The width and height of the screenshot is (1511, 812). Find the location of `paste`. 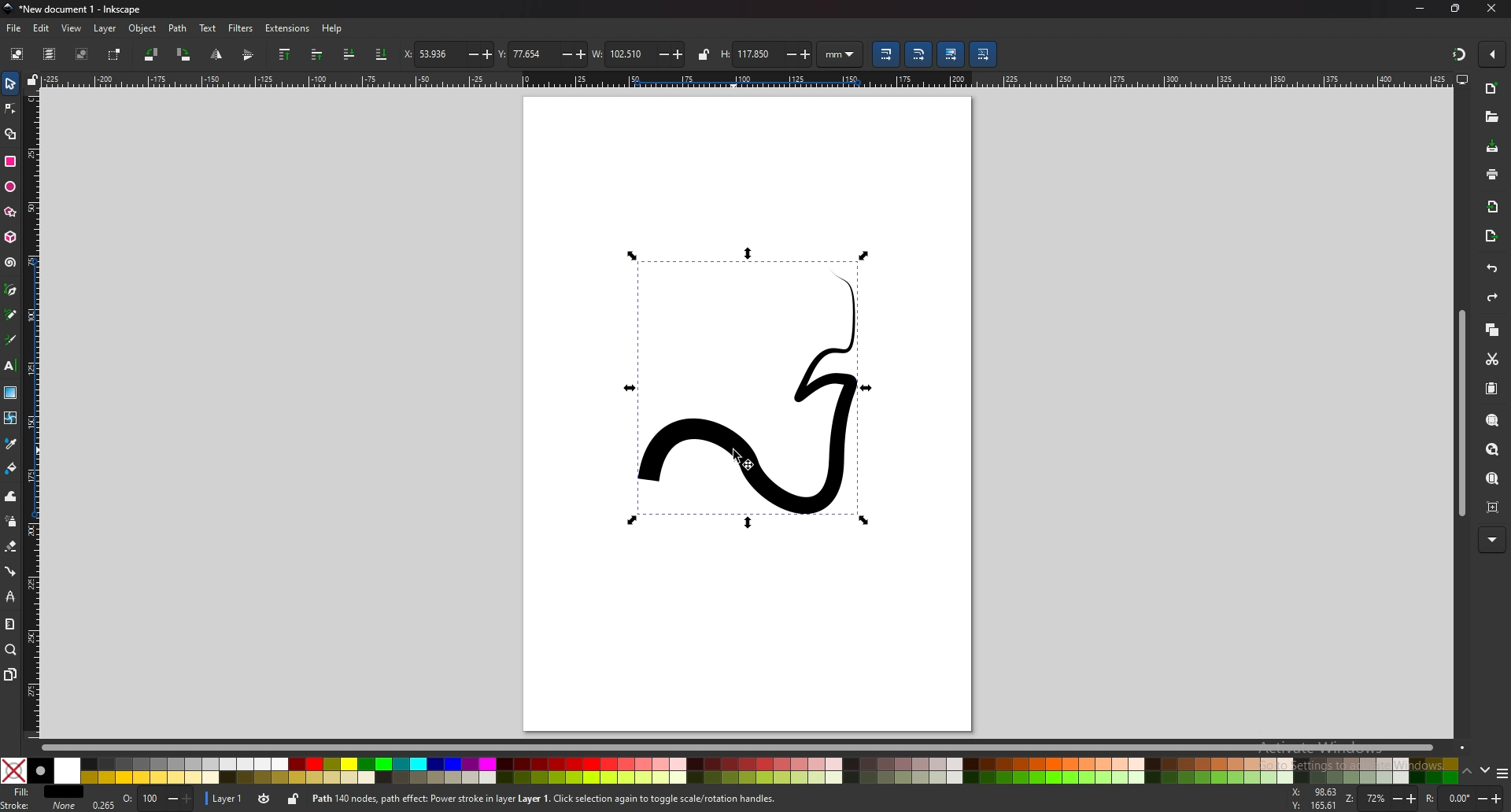

paste is located at coordinates (1493, 389).